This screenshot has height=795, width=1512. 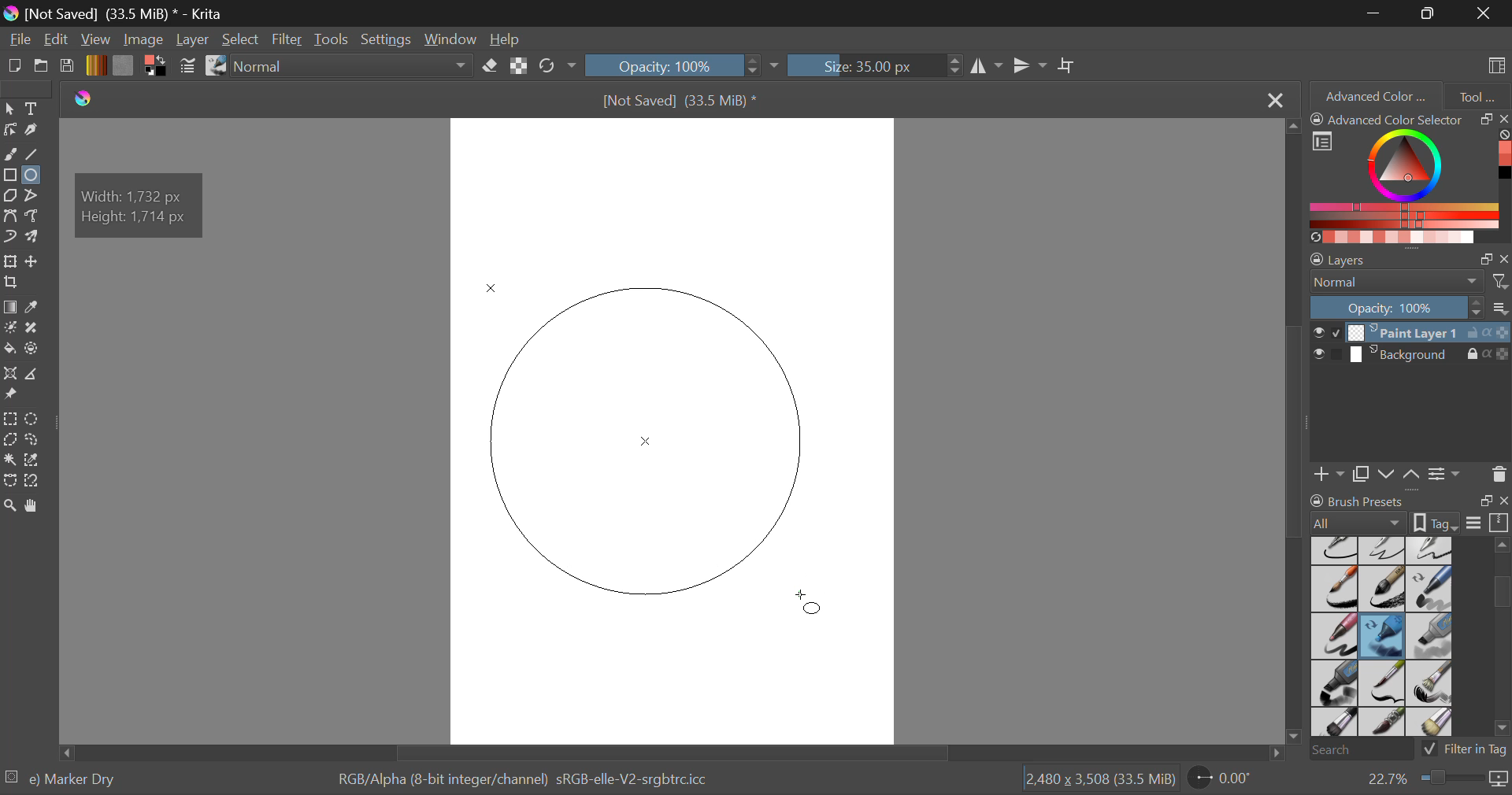 I want to click on Marker Medium, so click(x=1431, y=636).